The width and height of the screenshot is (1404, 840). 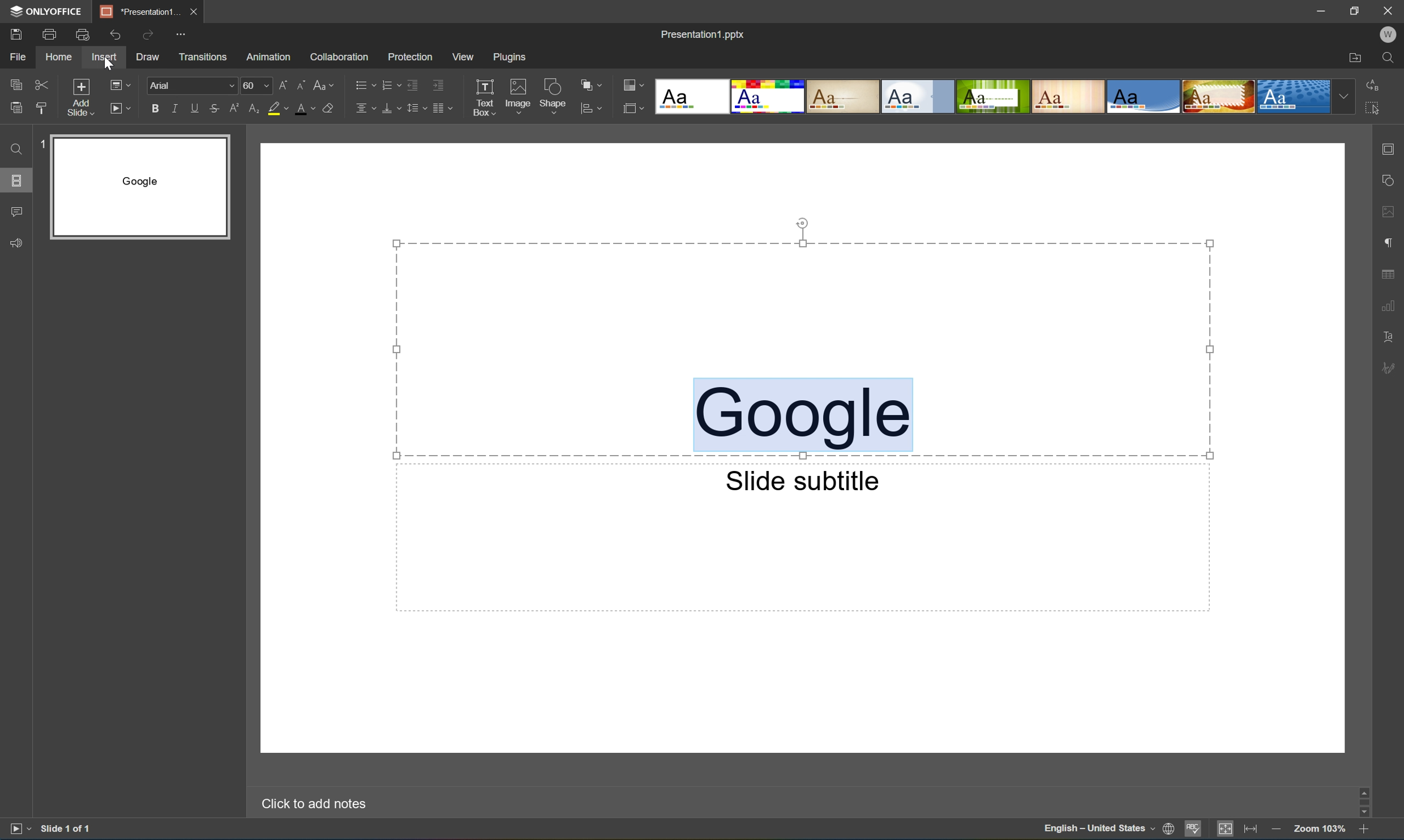 What do you see at coordinates (1169, 829) in the screenshot?
I see `Set document language` at bounding box center [1169, 829].